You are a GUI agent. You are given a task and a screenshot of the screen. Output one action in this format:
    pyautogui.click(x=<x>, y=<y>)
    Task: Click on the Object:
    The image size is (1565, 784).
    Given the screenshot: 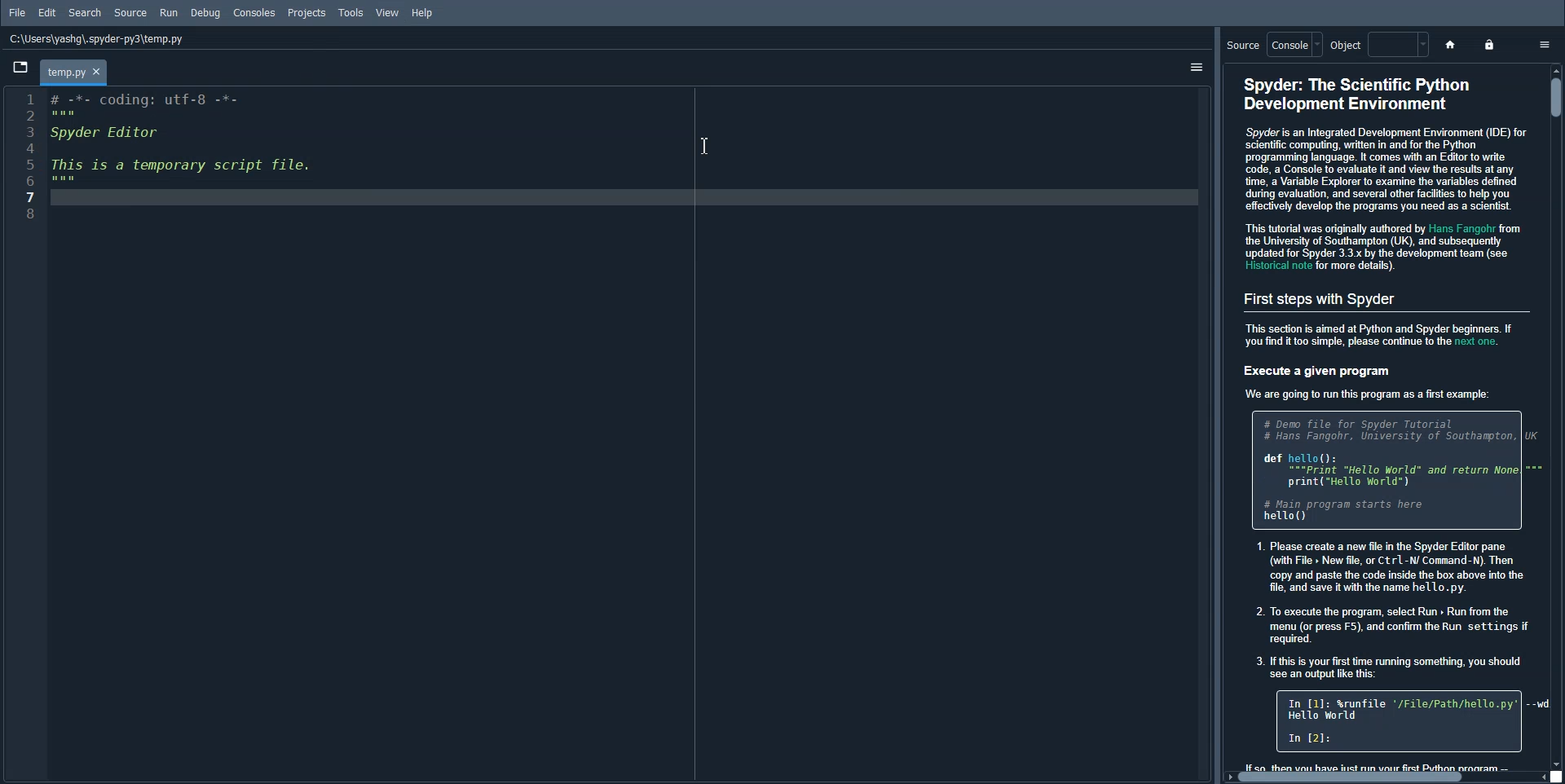 What is the action you would take?
    pyautogui.click(x=1376, y=45)
    